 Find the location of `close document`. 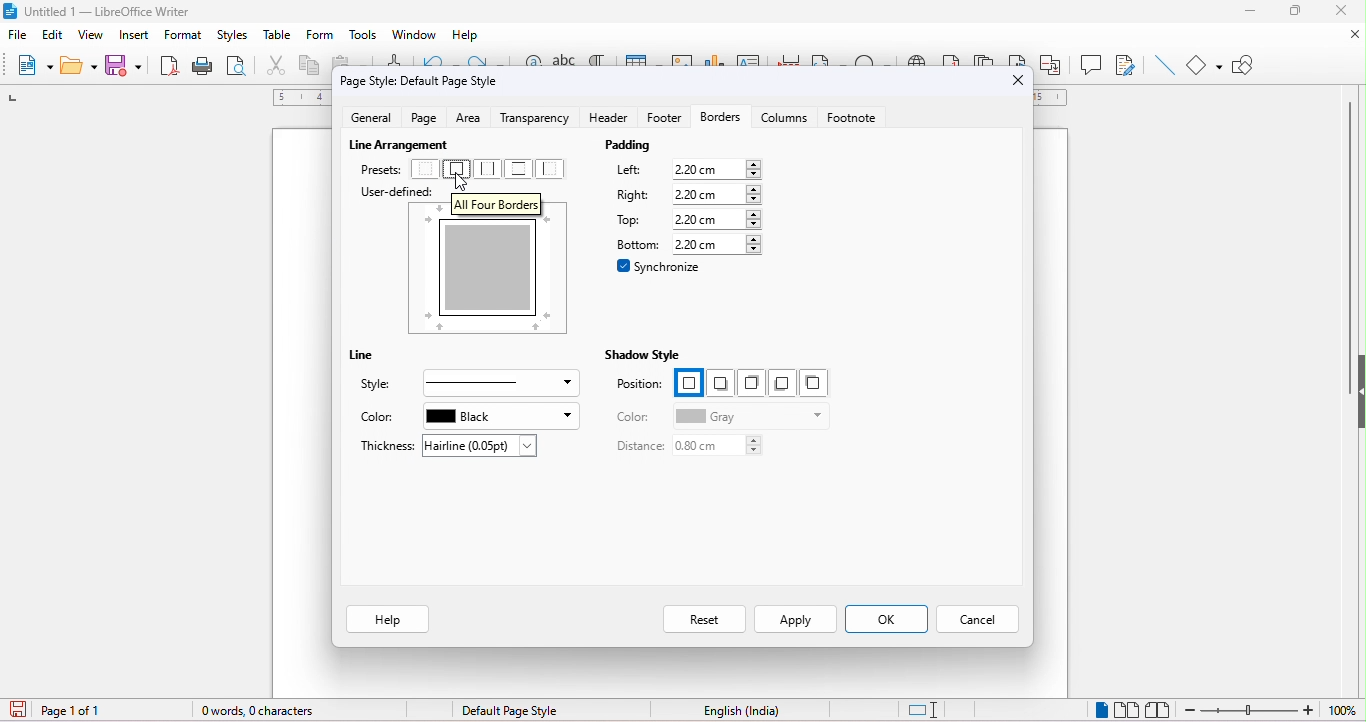

close document is located at coordinates (1344, 34).